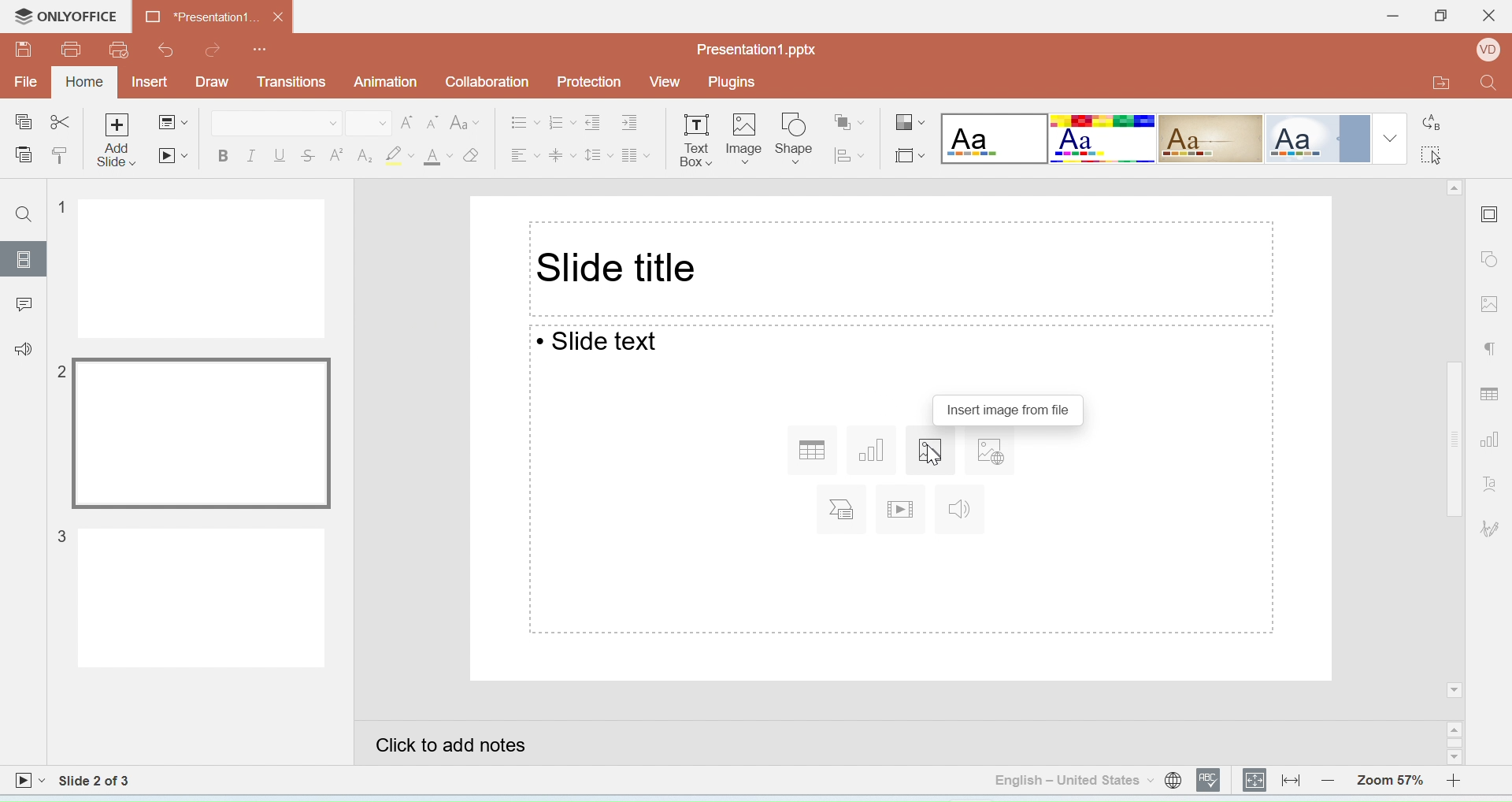 The width and height of the screenshot is (1512, 802). I want to click on Copy, so click(22, 123).